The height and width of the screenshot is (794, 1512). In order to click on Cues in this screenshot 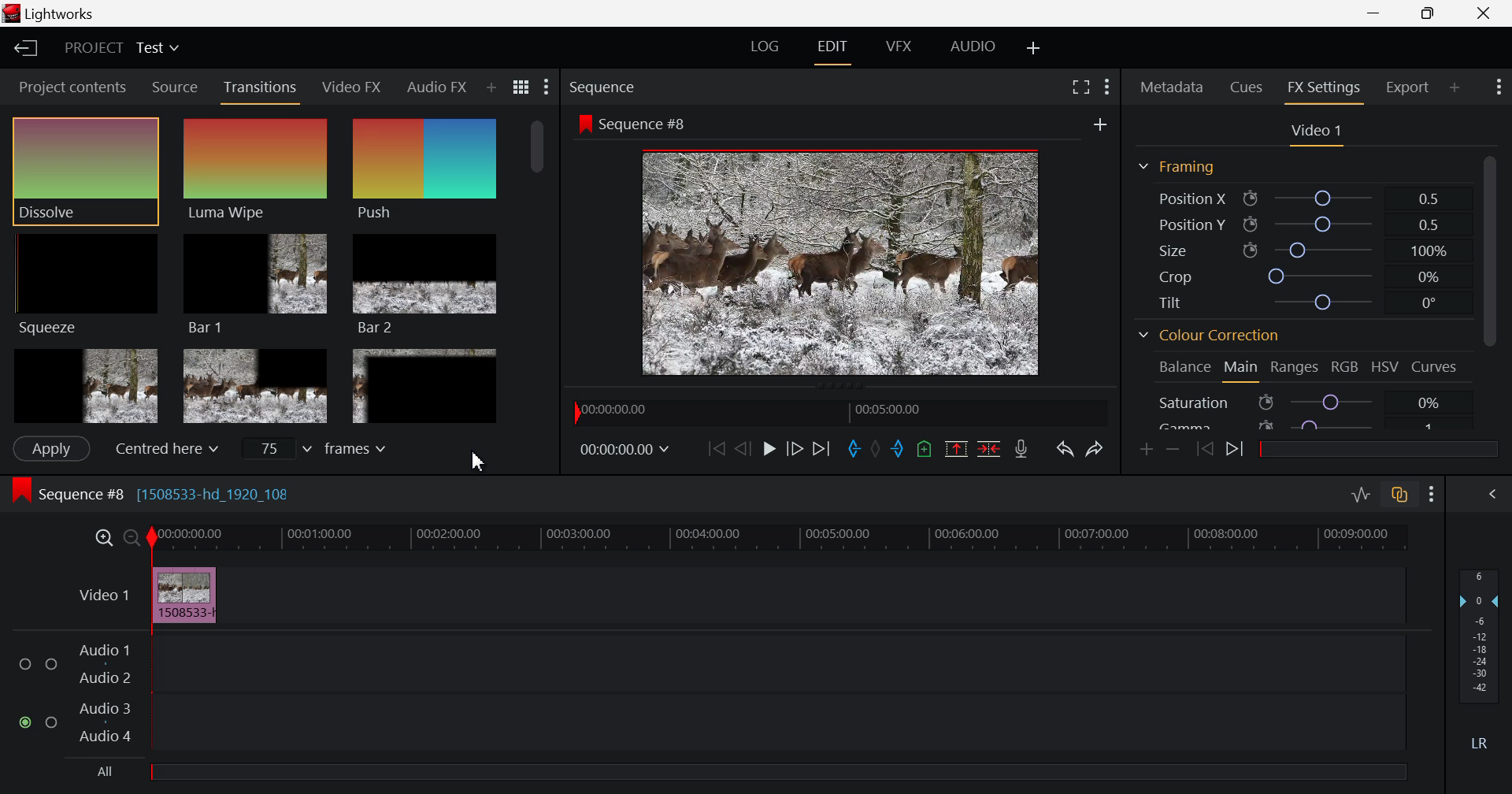, I will do `click(1247, 86)`.